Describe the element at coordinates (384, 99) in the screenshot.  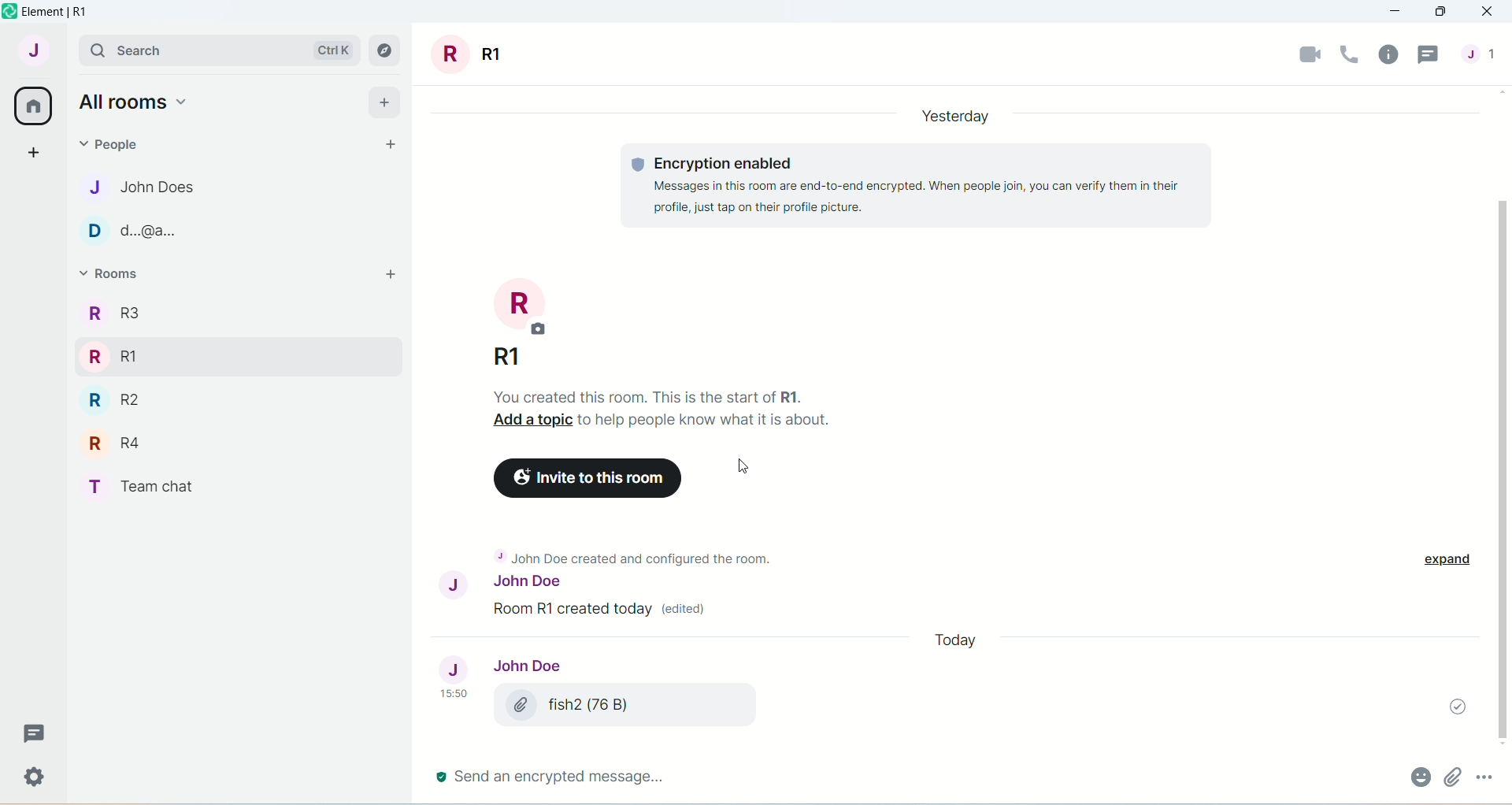
I see `add` at that location.